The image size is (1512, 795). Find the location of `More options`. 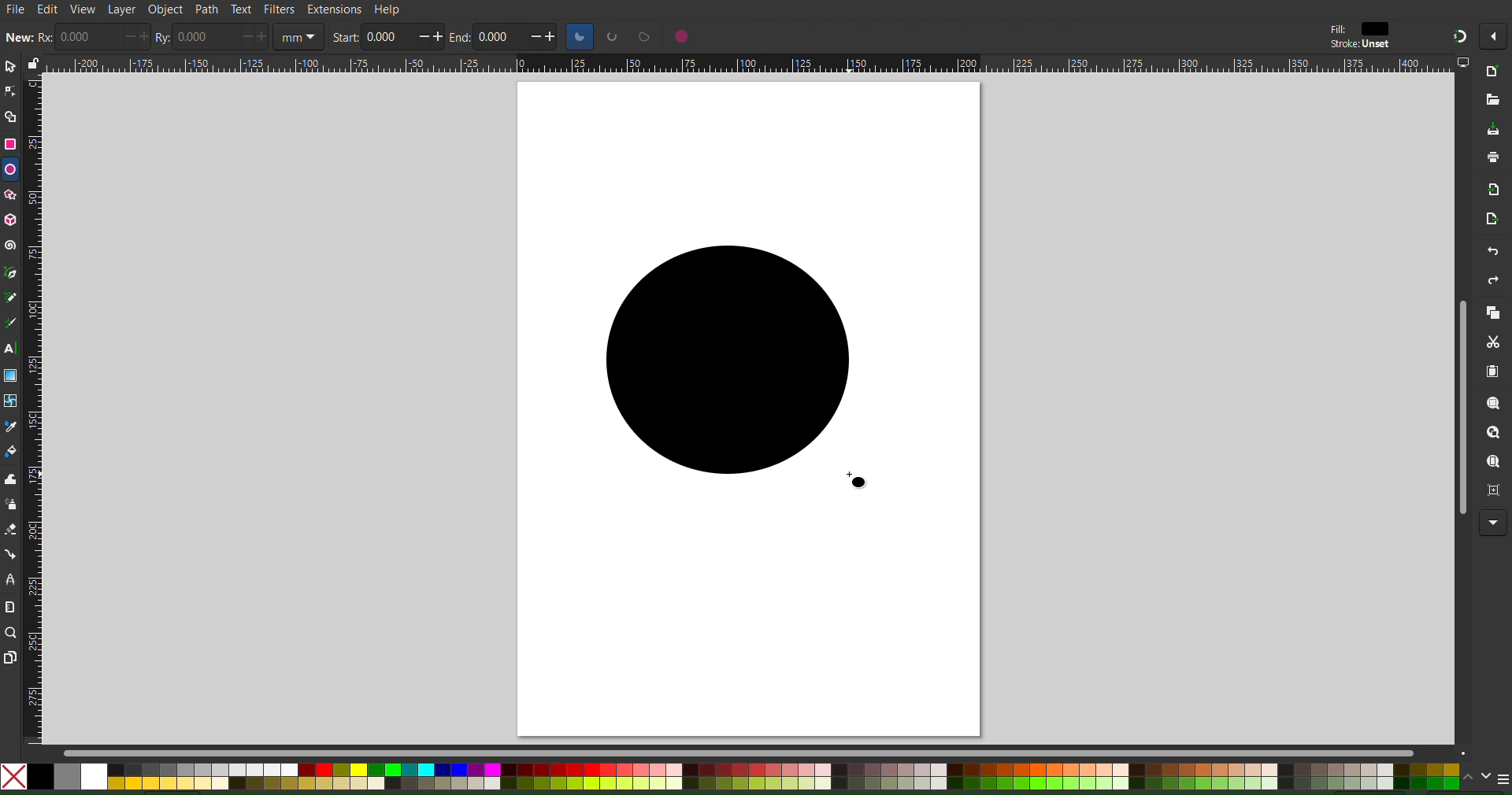

More options is located at coordinates (1494, 38).